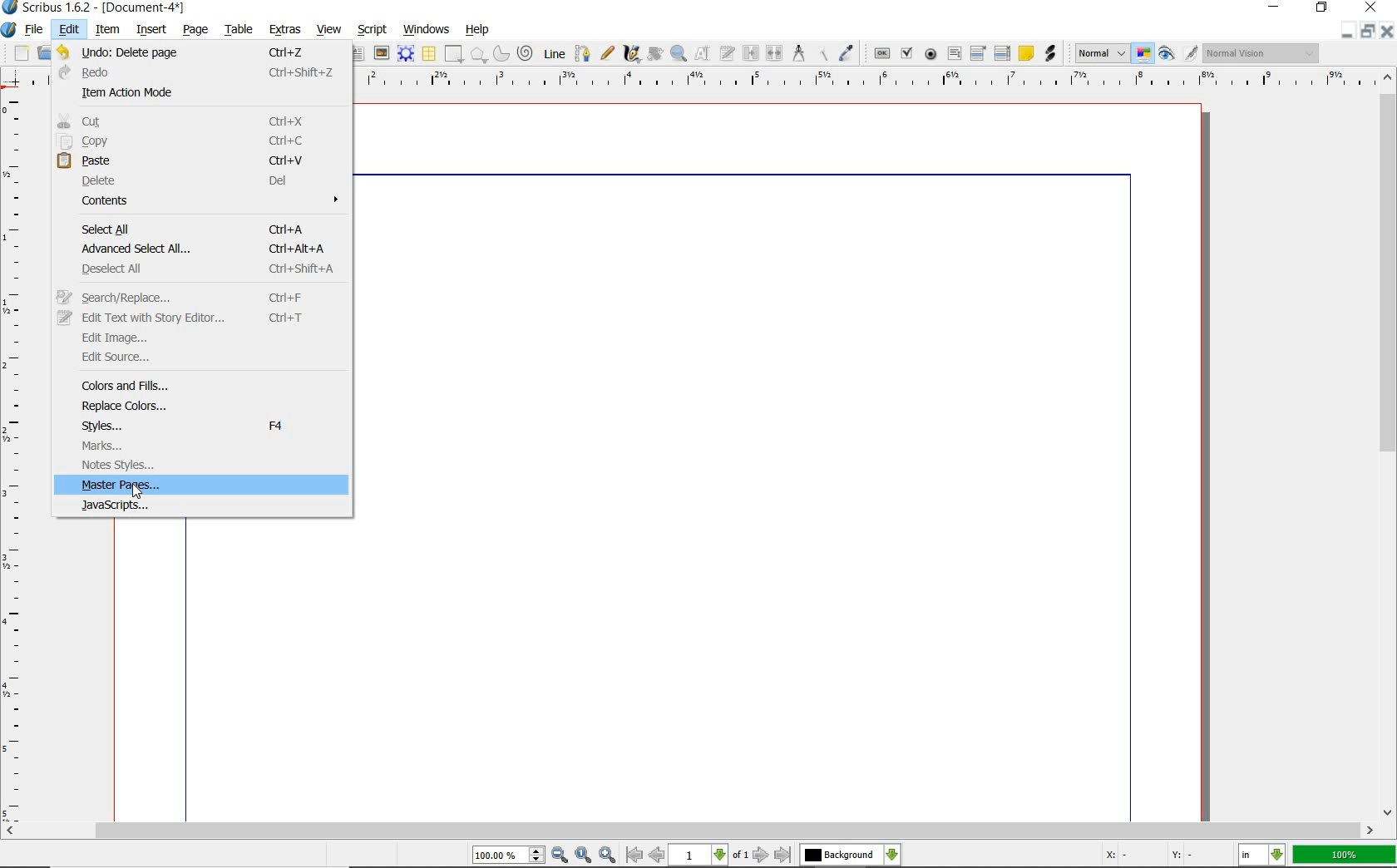  Describe the element at coordinates (728, 55) in the screenshot. I see `edit text with story editor` at that location.